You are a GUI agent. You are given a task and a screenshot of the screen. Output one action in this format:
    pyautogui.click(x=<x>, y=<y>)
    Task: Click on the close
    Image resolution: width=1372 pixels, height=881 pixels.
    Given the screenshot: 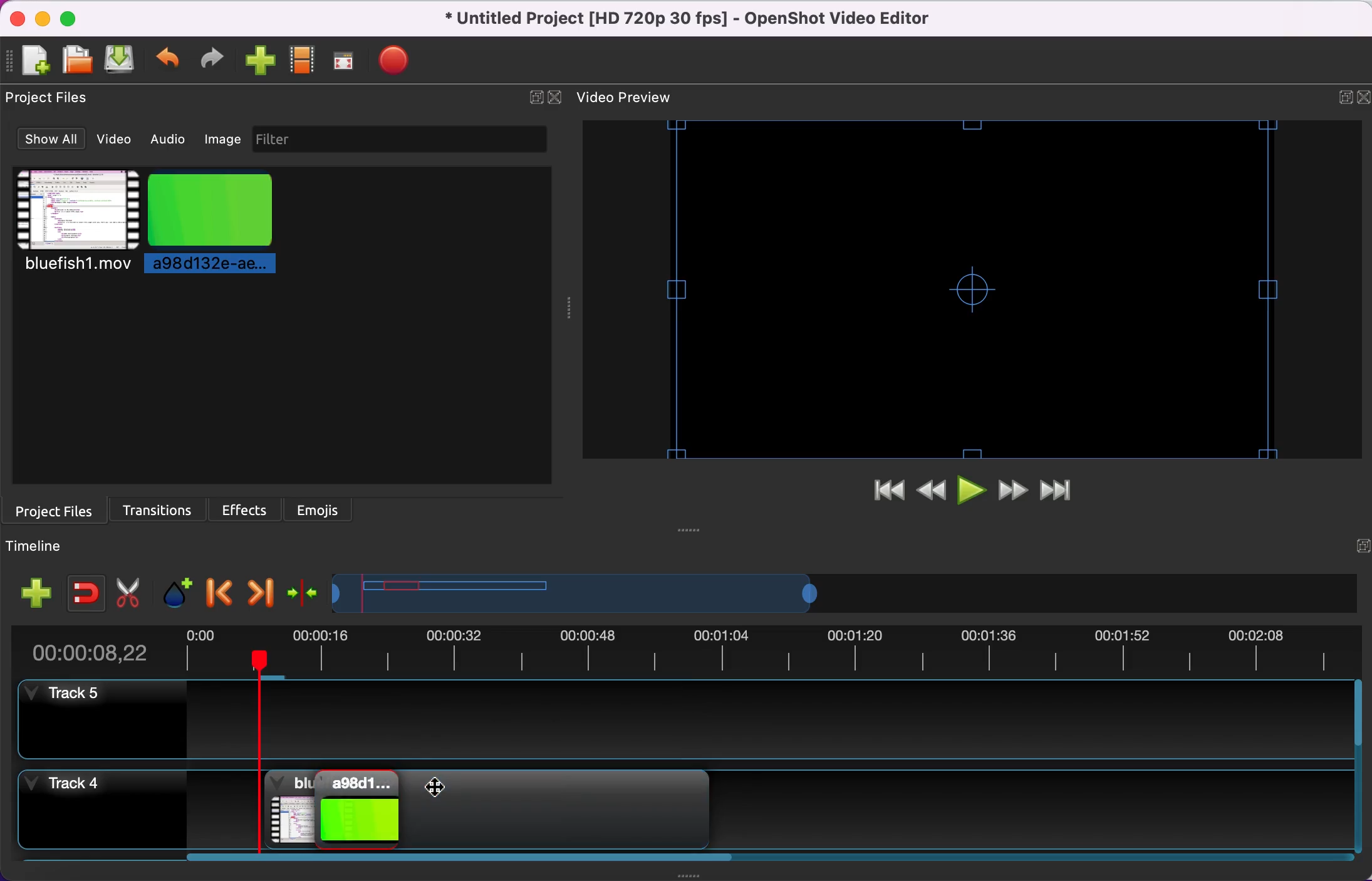 What is the action you would take?
    pyautogui.click(x=558, y=98)
    